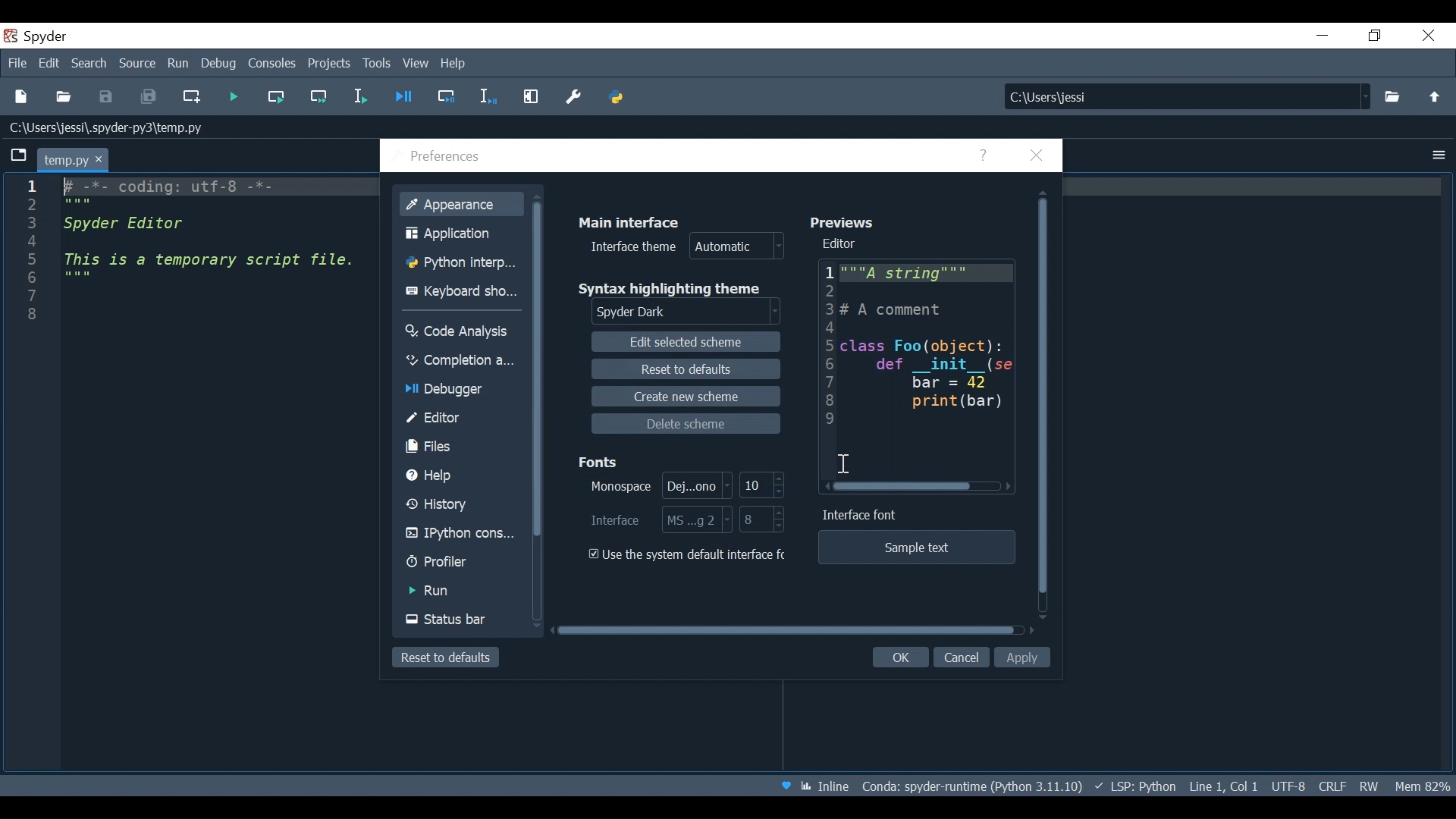  Describe the element at coordinates (462, 447) in the screenshot. I see `Files` at that location.